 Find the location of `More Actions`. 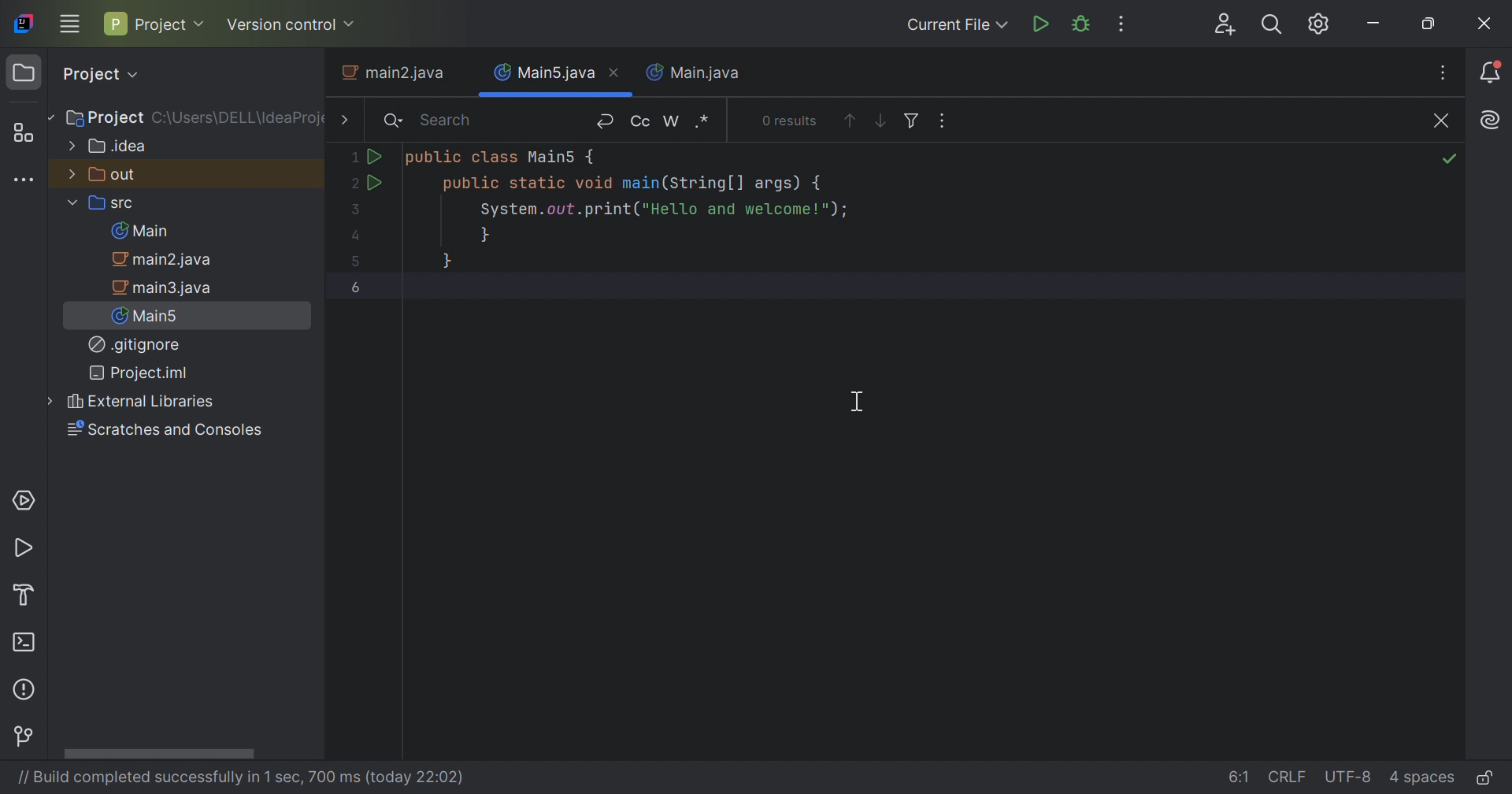

More Actions is located at coordinates (1118, 24).